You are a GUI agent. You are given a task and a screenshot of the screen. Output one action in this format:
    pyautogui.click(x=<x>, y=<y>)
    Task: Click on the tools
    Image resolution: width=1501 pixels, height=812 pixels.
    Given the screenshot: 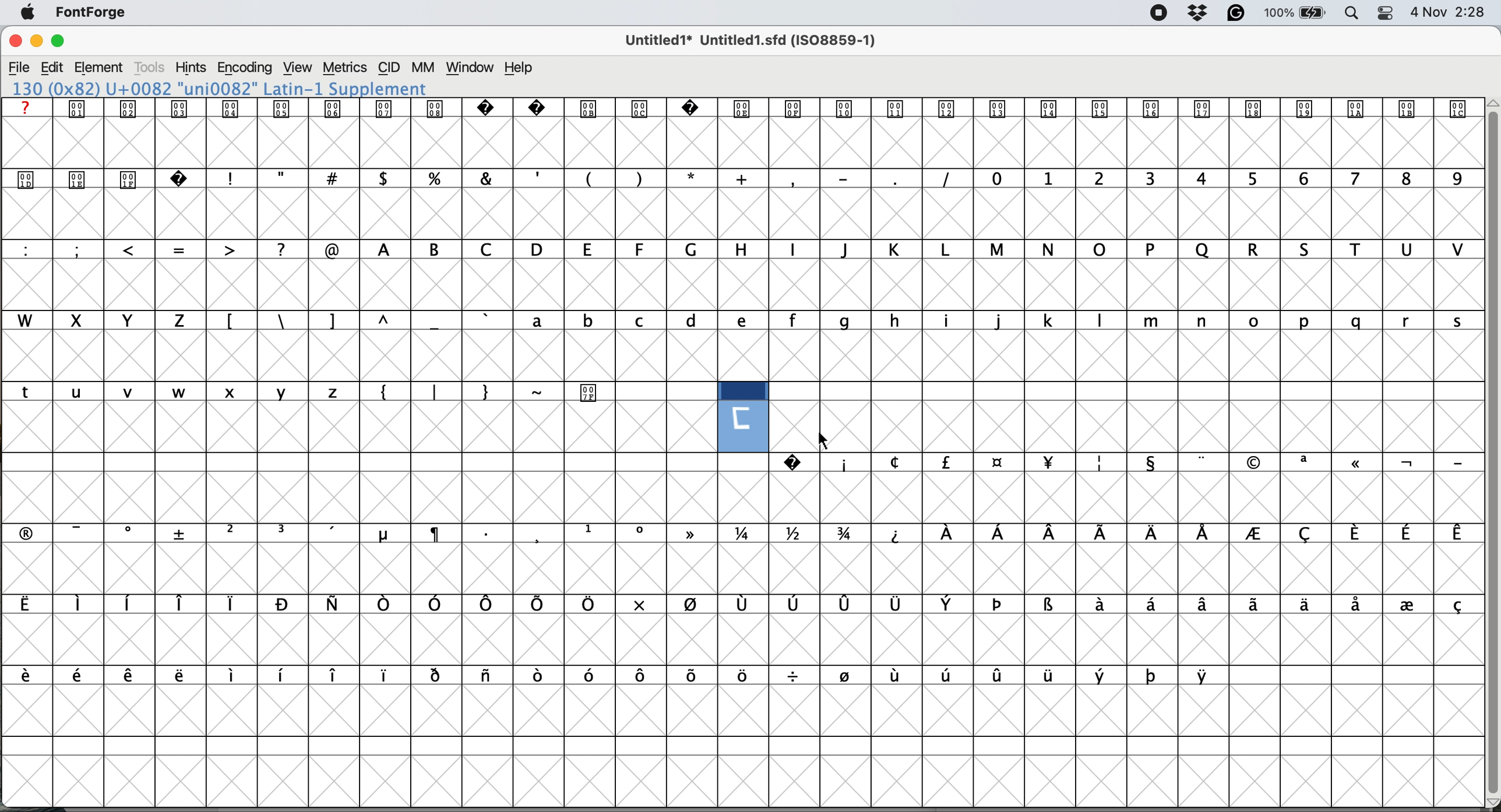 What is the action you would take?
    pyautogui.click(x=152, y=68)
    